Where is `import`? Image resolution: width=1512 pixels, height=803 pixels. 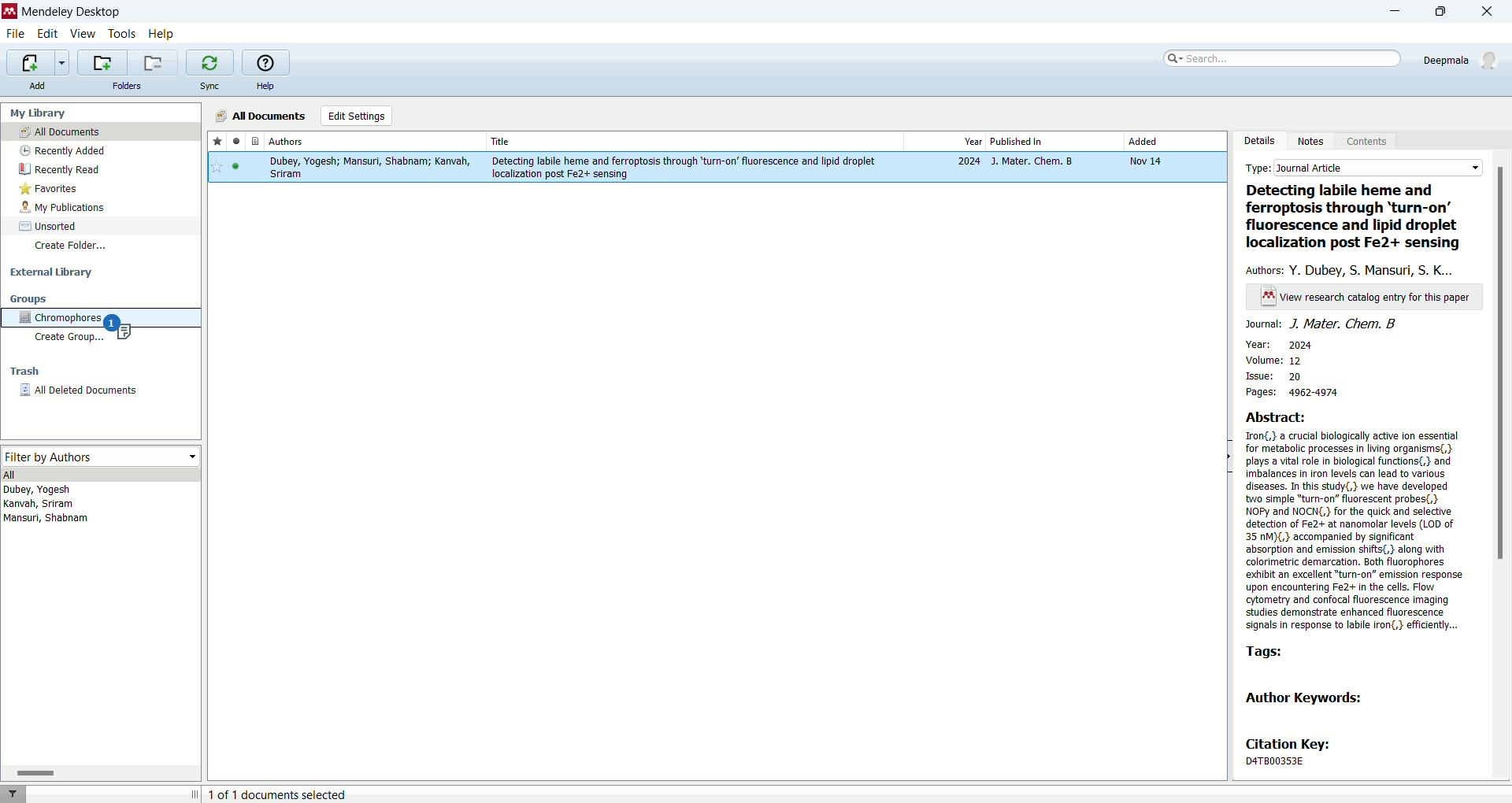
import is located at coordinates (38, 63).